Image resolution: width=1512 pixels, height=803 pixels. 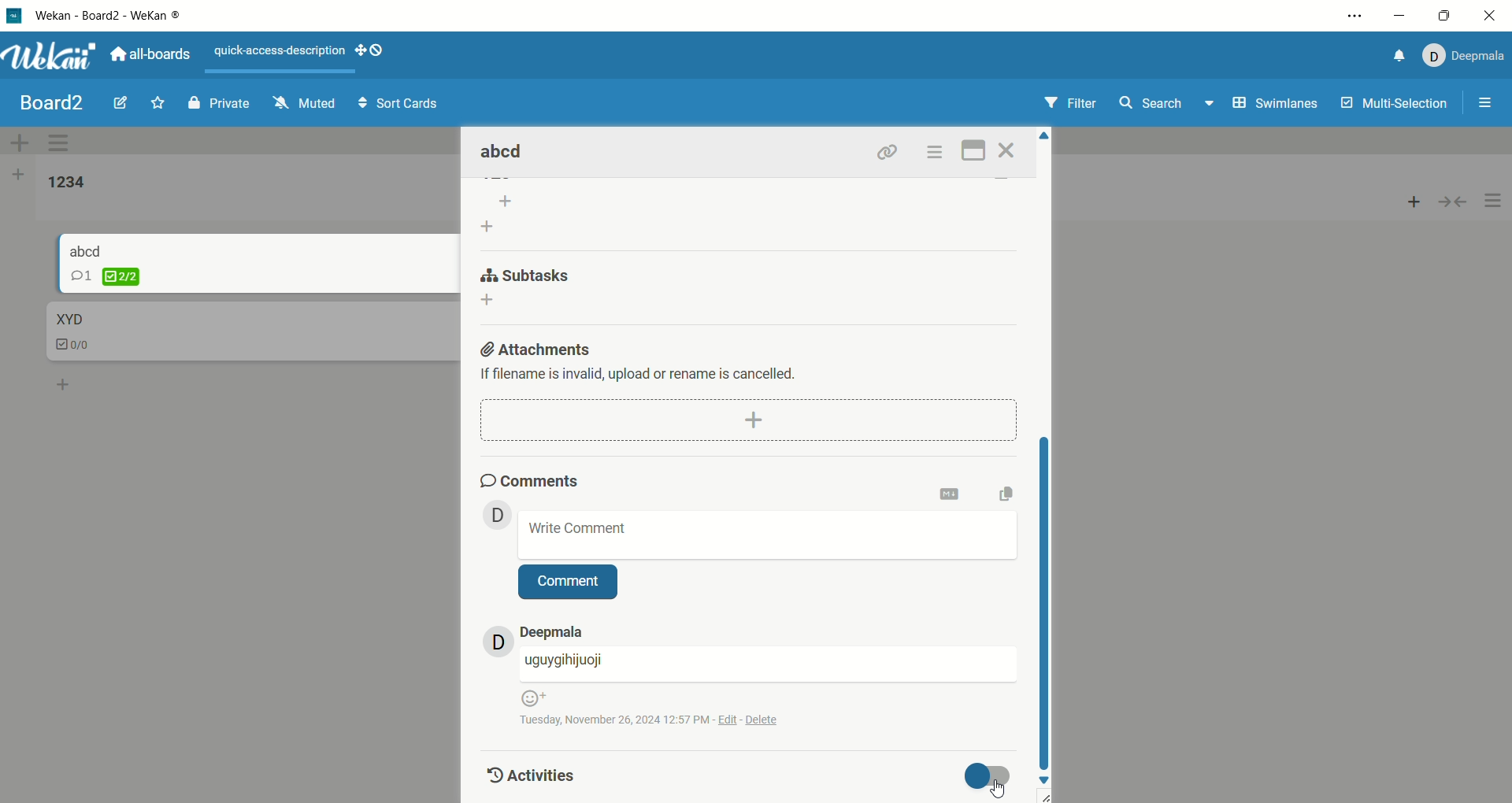 I want to click on maximize, so click(x=975, y=149).